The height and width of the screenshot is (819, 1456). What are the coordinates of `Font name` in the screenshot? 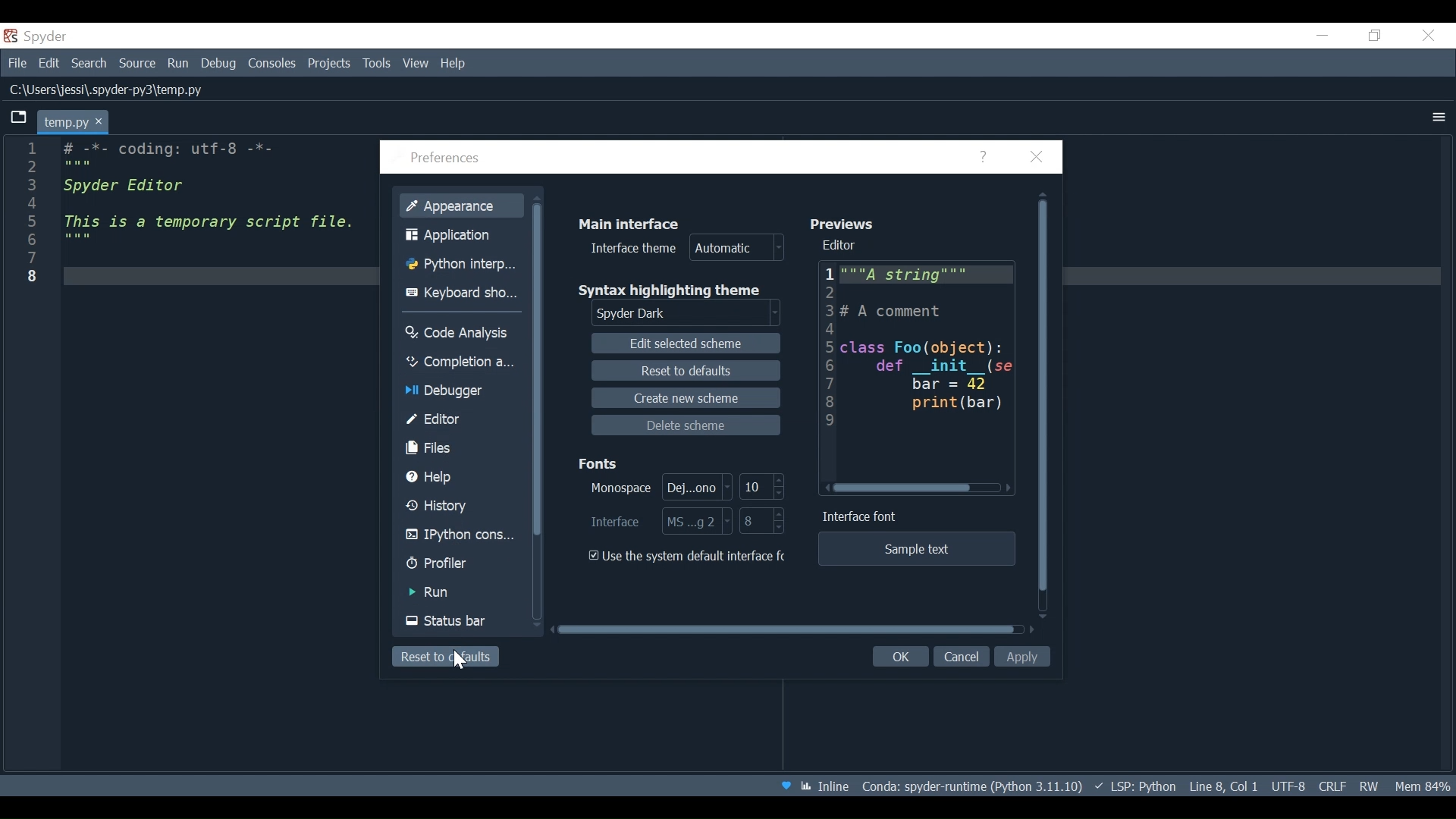 It's located at (657, 486).